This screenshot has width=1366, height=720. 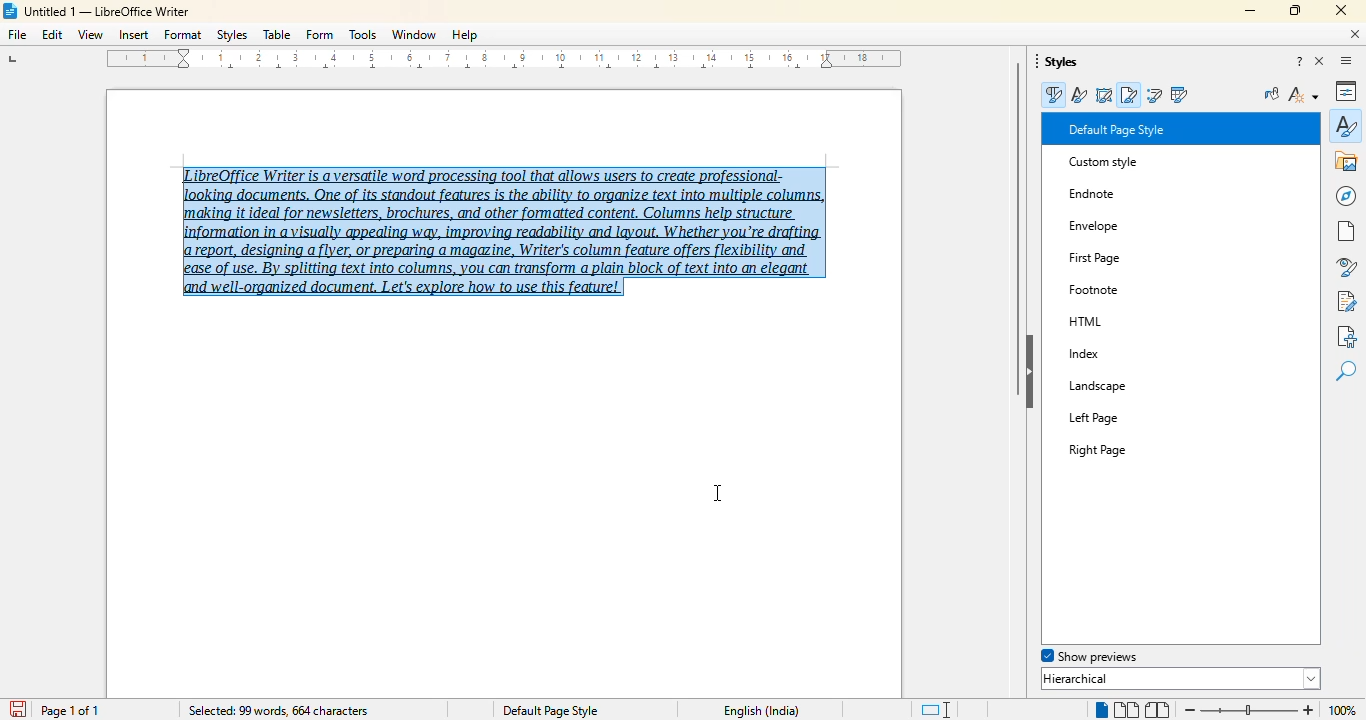 I want to click on tools, so click(x=363, y=35).